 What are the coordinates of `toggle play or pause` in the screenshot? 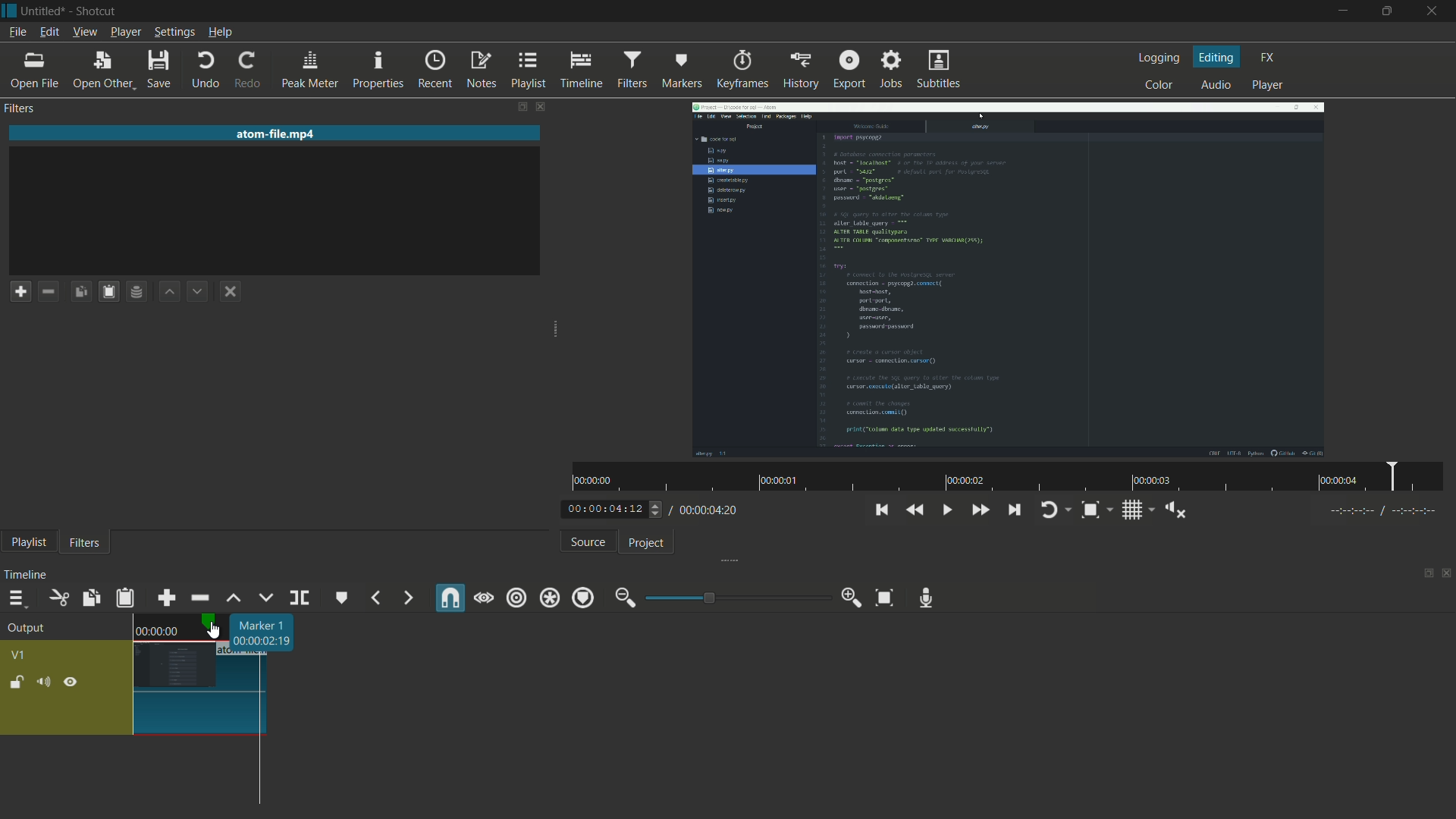 It's located at (946, 512).